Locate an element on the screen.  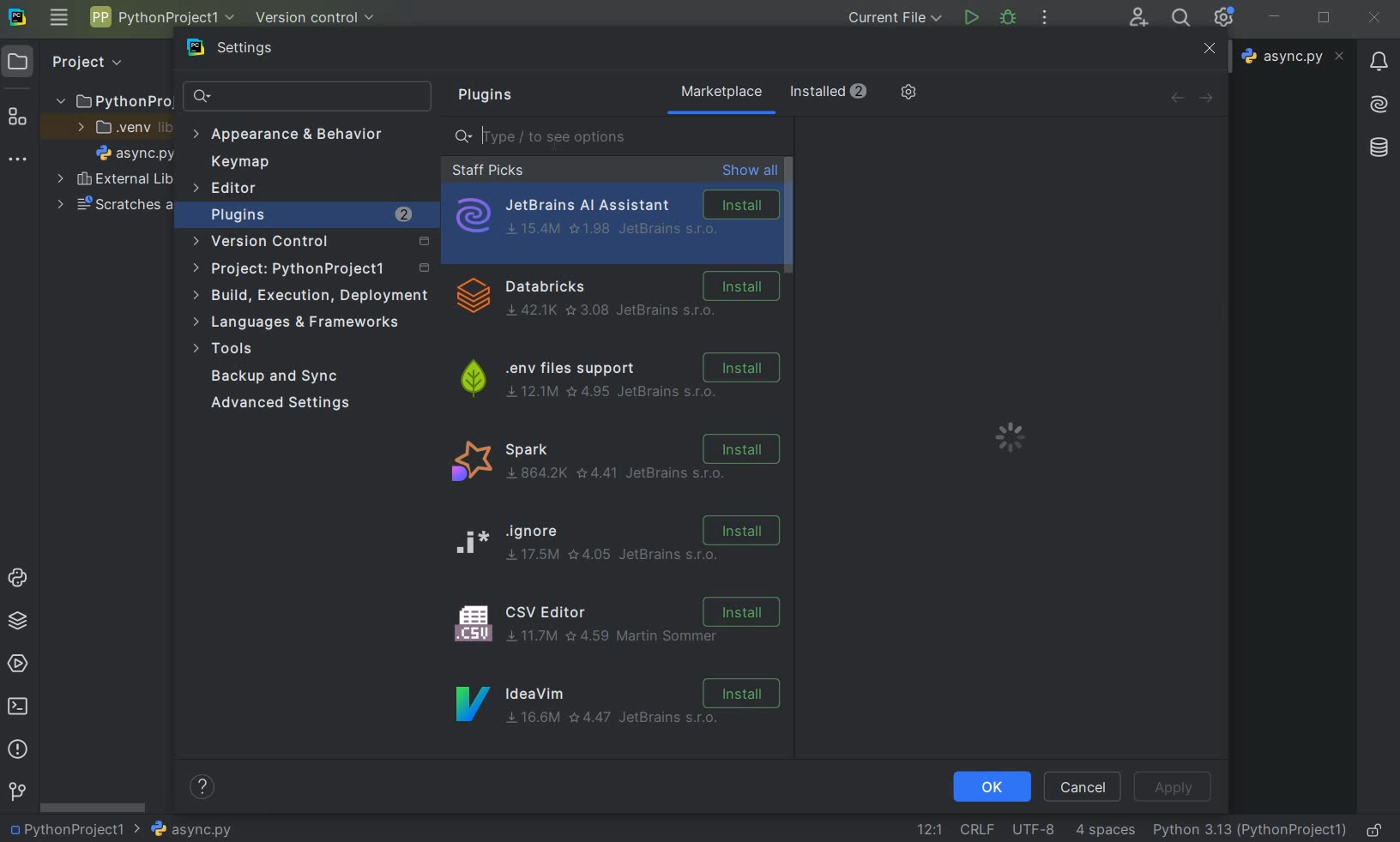
spark is located at coordinates (614, 458).